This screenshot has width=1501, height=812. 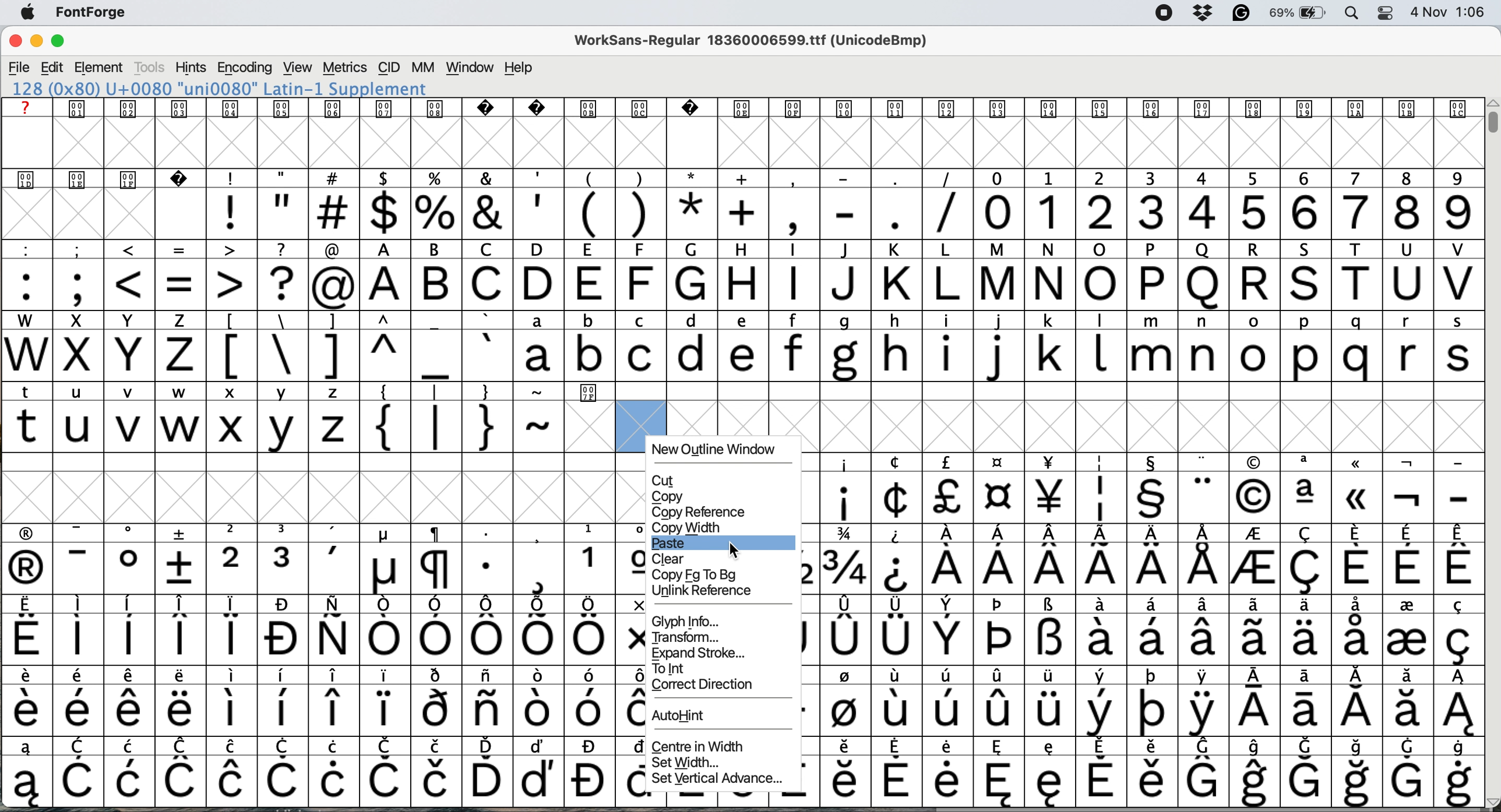 I want to click on lower case x chosen, so click(x=231, y=426).